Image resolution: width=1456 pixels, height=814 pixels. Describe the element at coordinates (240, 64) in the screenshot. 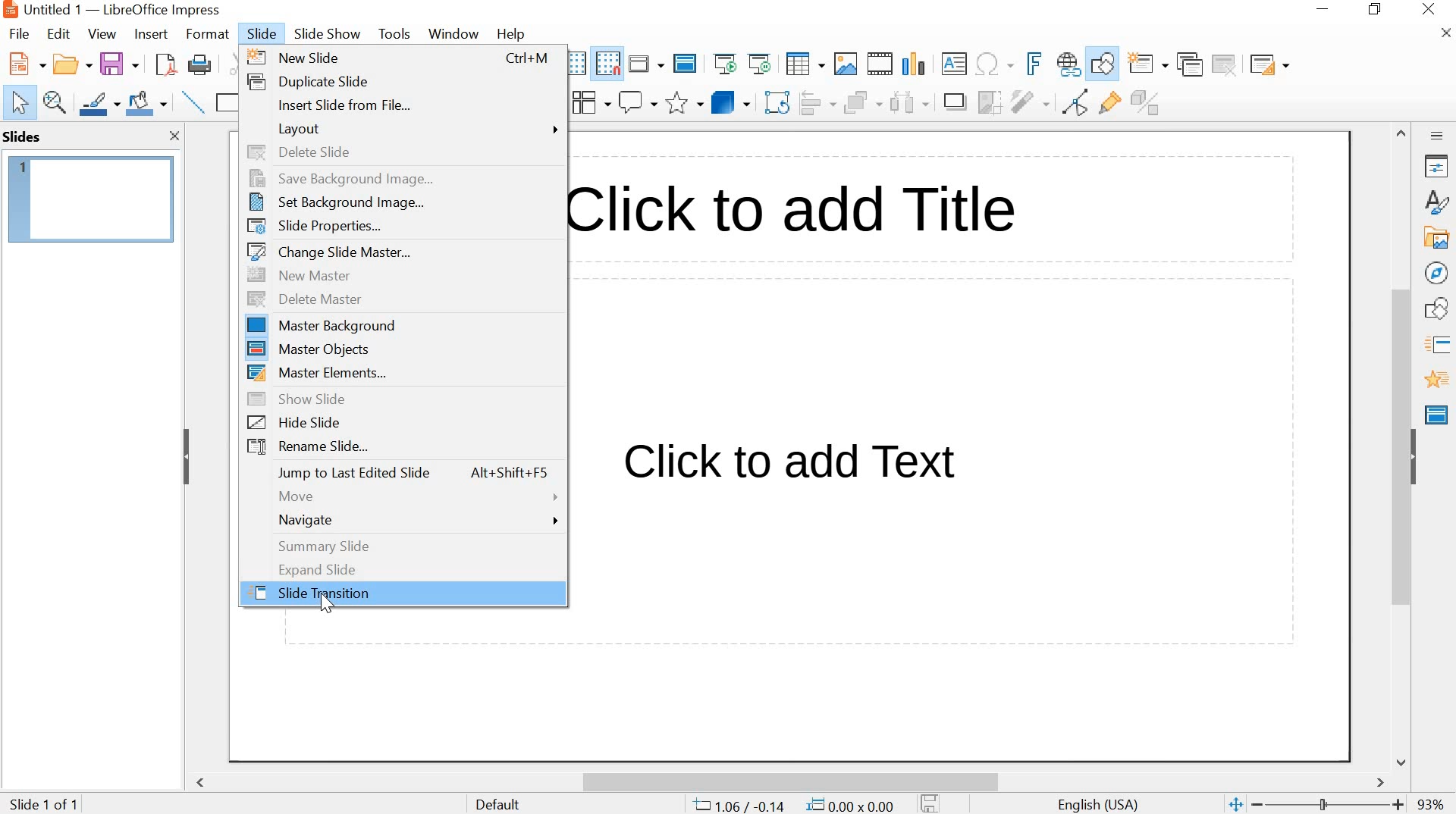

I see `CUT` at that location.